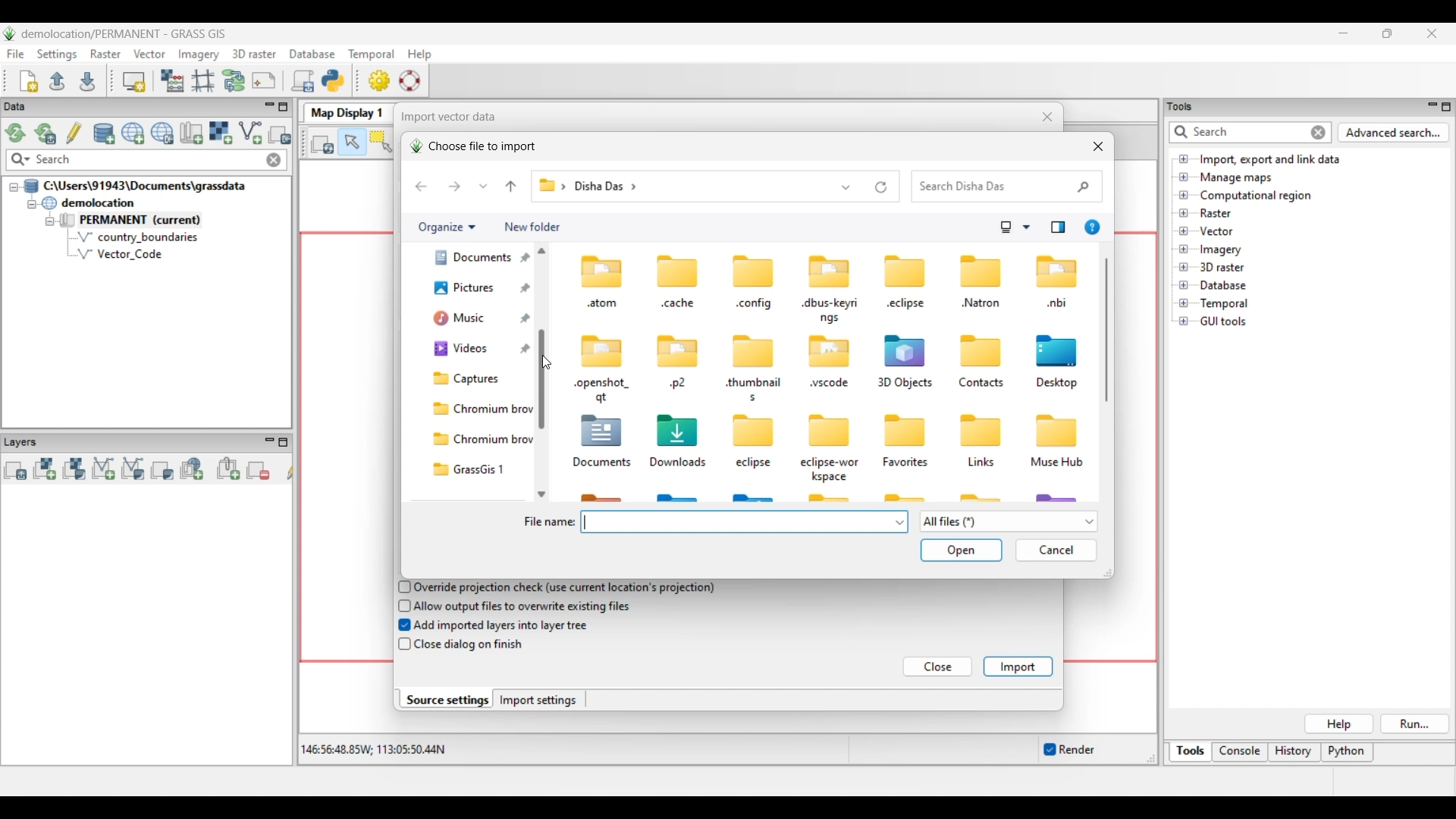 This screenshot has height=819, width=1456. What do you see at coordinates (74, 133) in the screenshot?
I see `Allow edits outside of the current mapset` at bounding box center [74, 133].